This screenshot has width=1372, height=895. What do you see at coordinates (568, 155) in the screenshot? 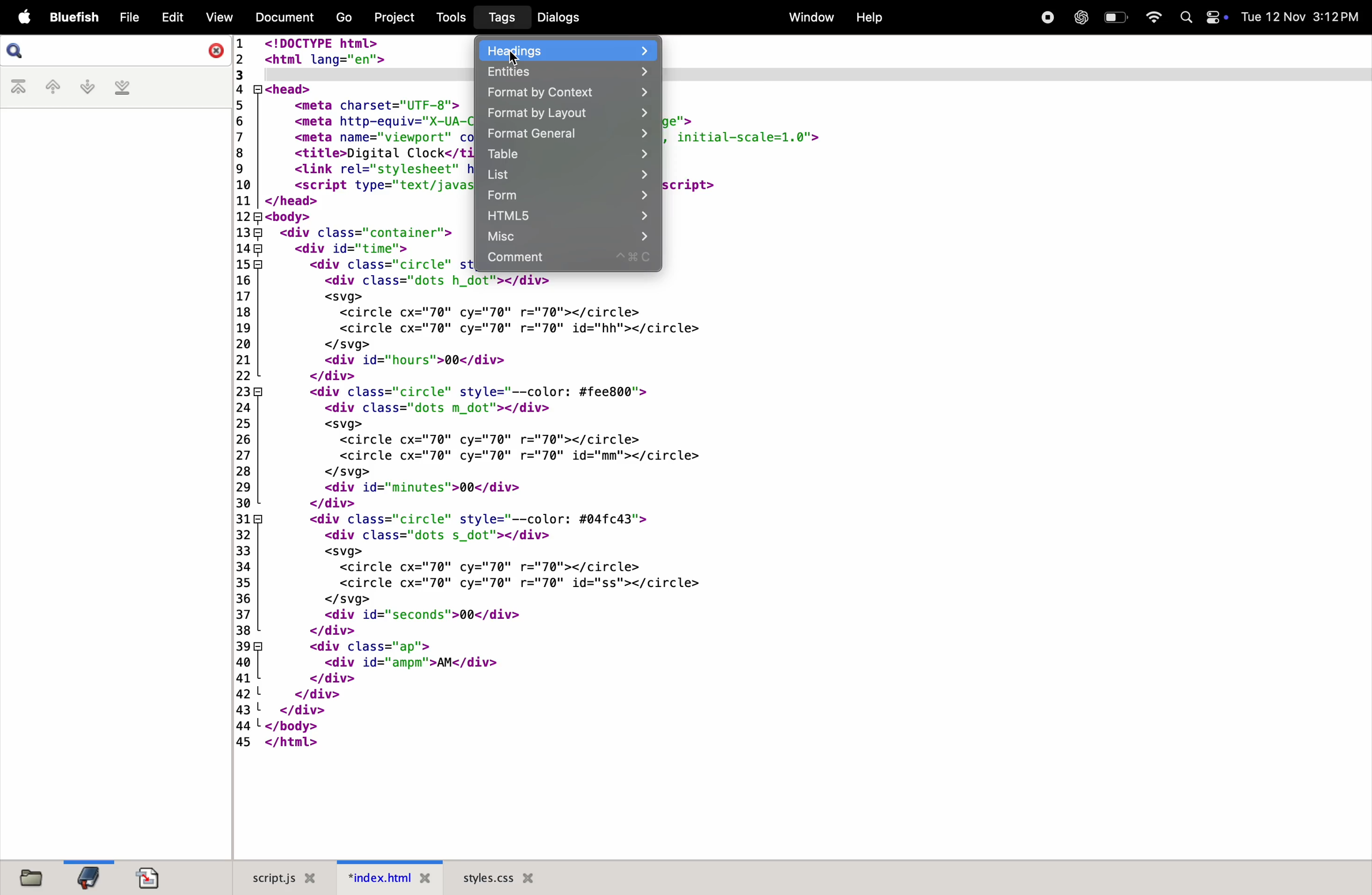
I see `table` at bounding box center [568, 155].